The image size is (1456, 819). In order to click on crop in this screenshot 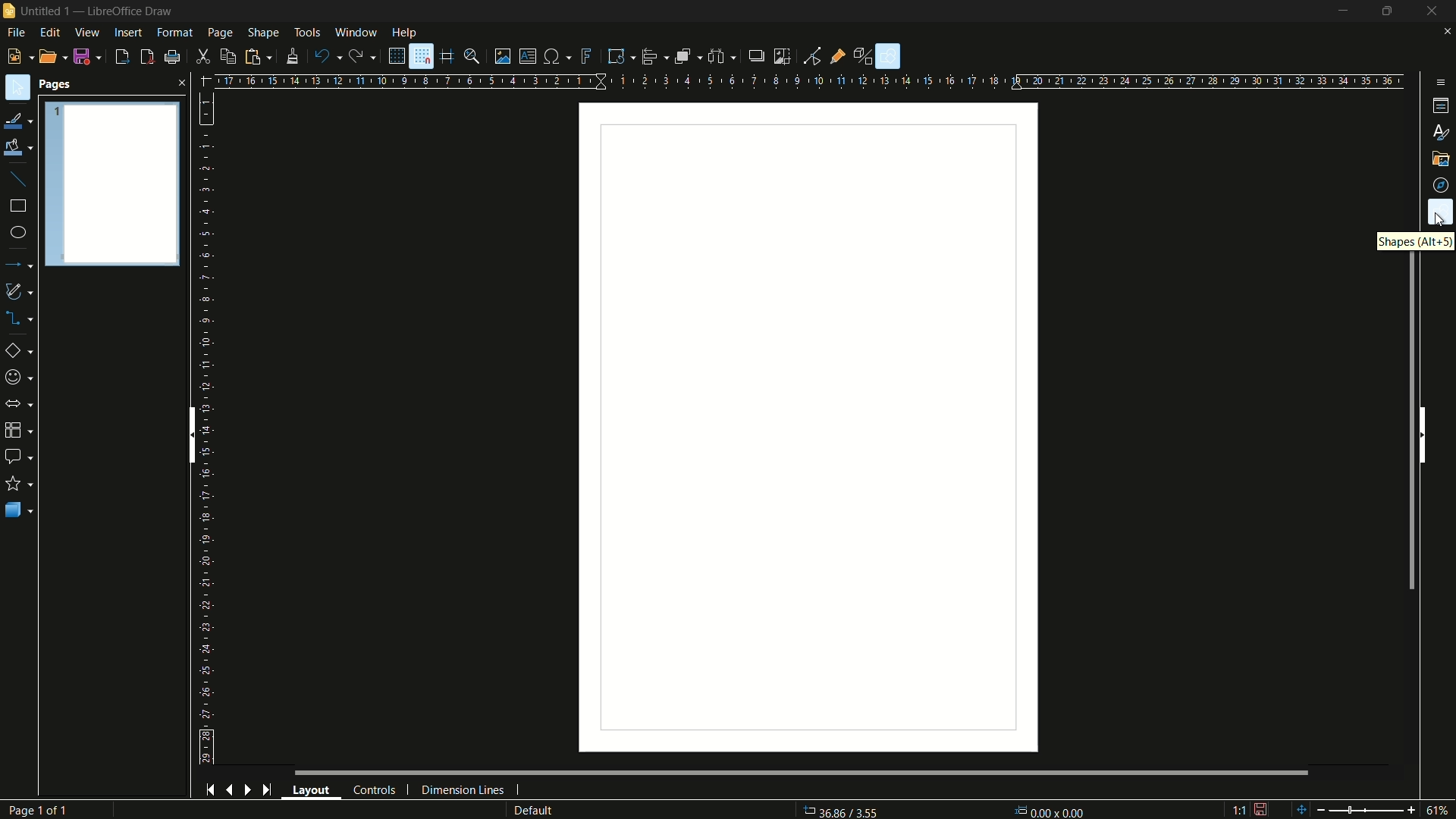, I will do `click(781, 56)`.